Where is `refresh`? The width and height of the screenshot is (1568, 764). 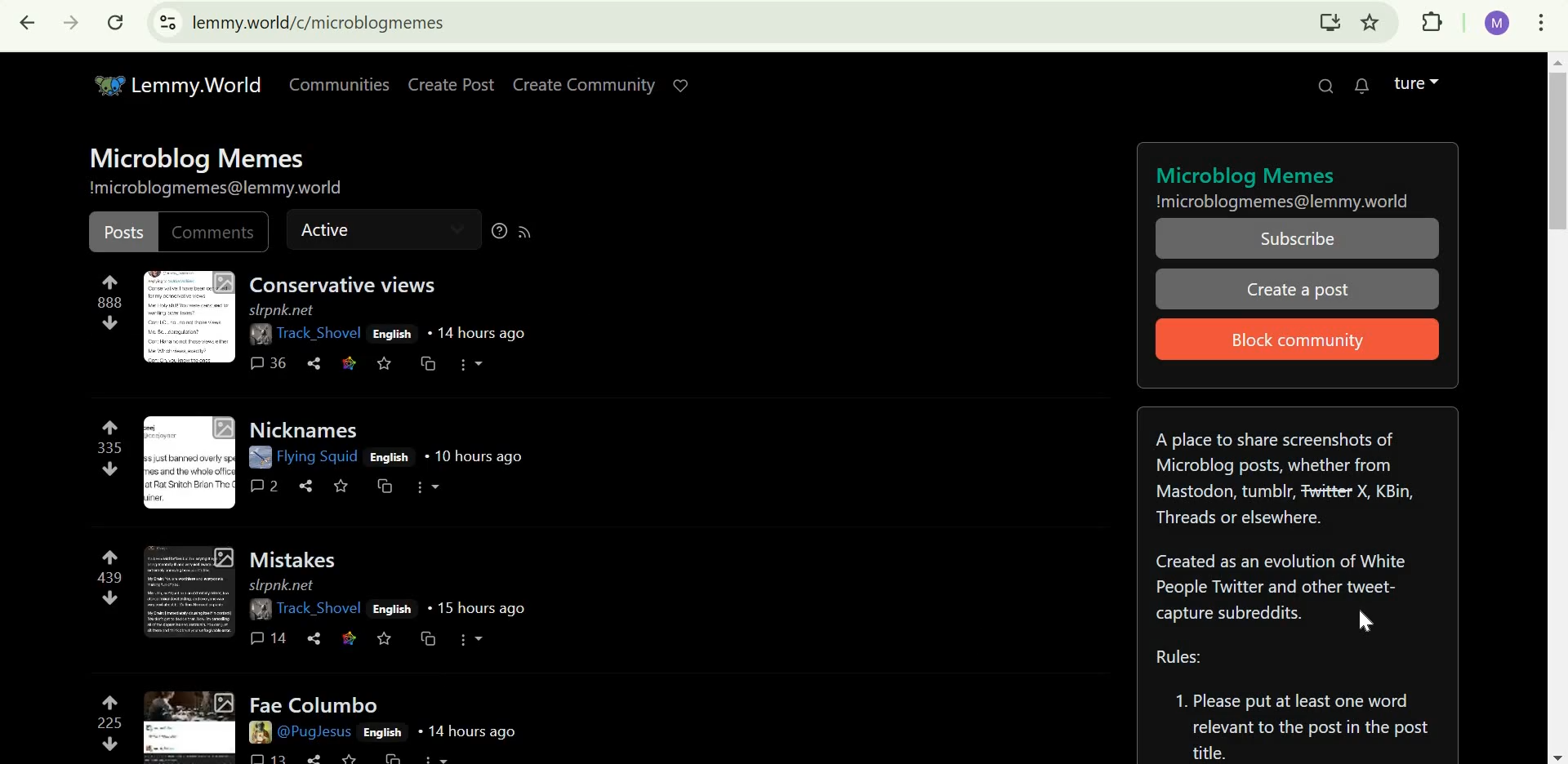
refresh is located at coordinates (117, 22).